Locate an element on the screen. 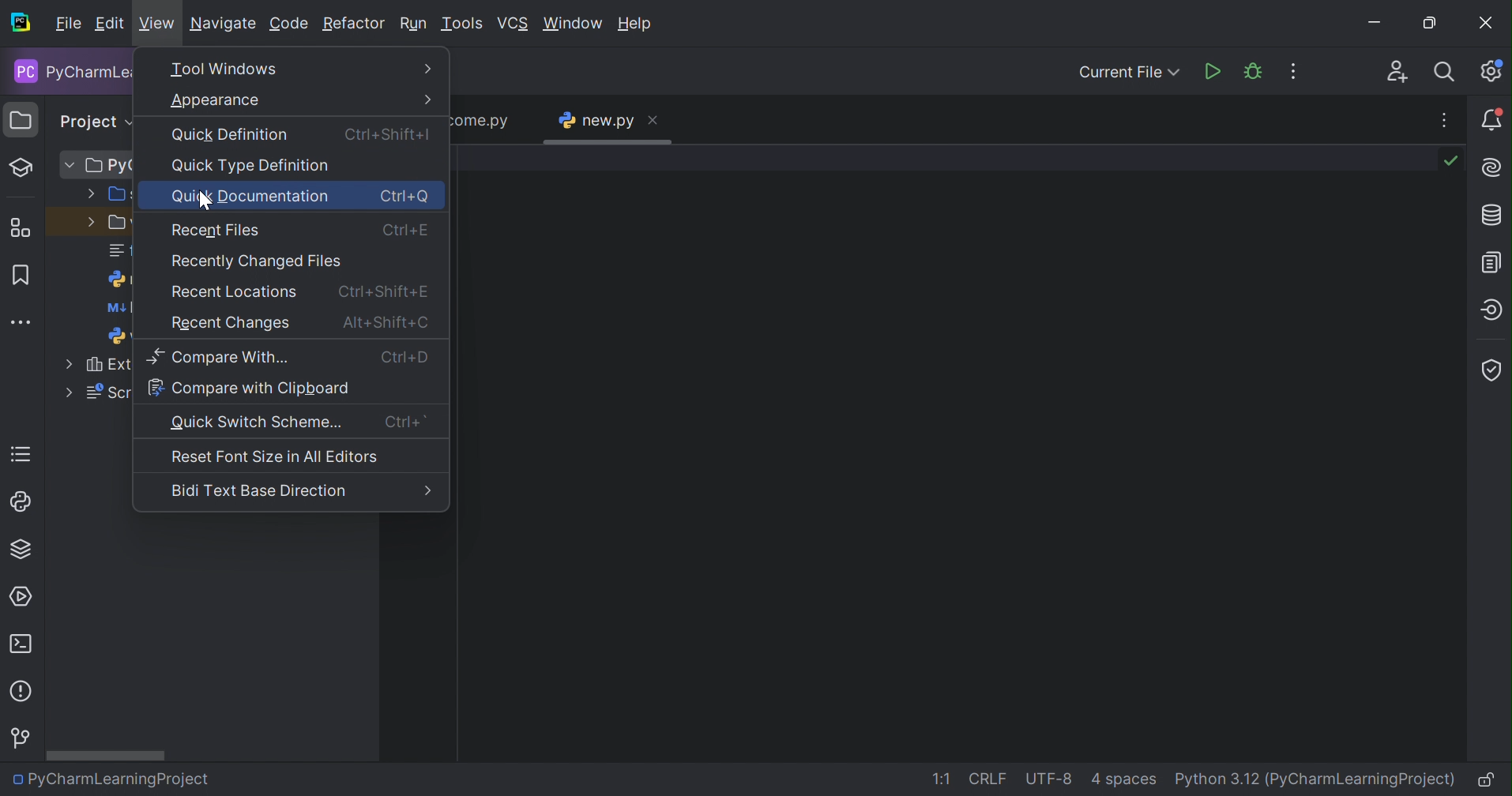 The width and height of the screenshot is (1512, 796). Make file read-only is located at coordinates (1491, 782).